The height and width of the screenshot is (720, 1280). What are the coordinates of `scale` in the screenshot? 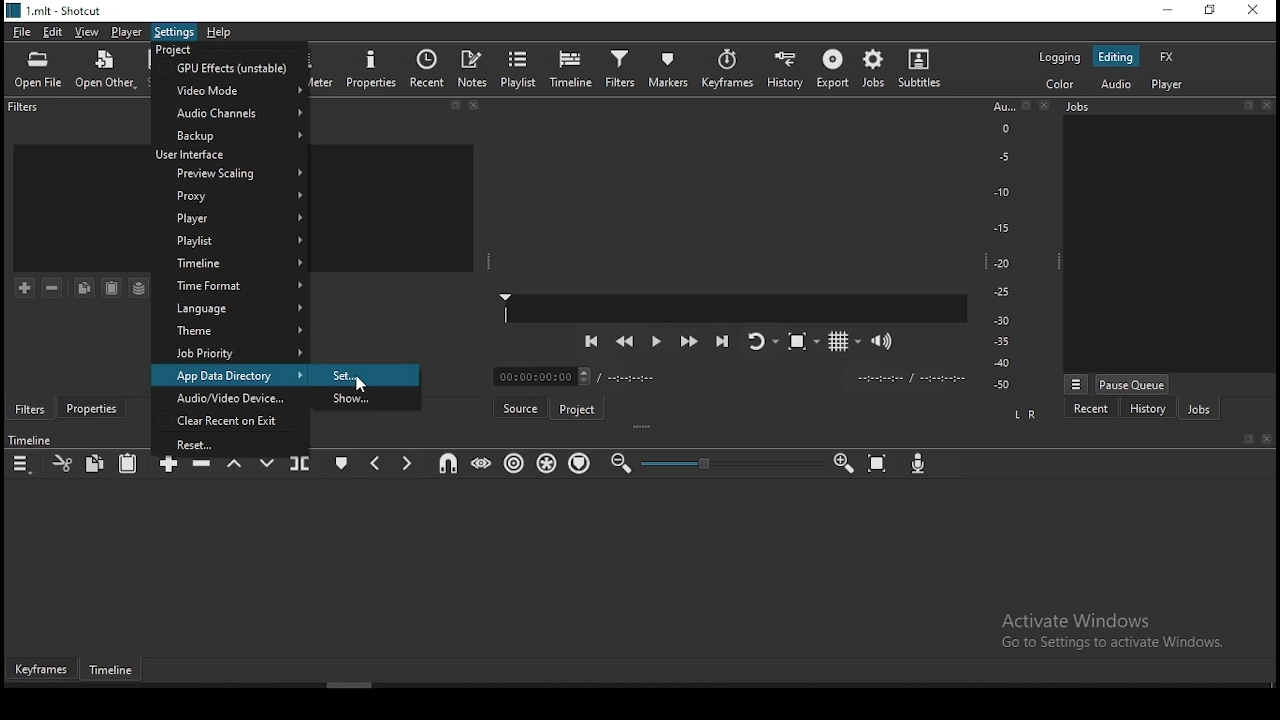 It's located at (1002, 247).